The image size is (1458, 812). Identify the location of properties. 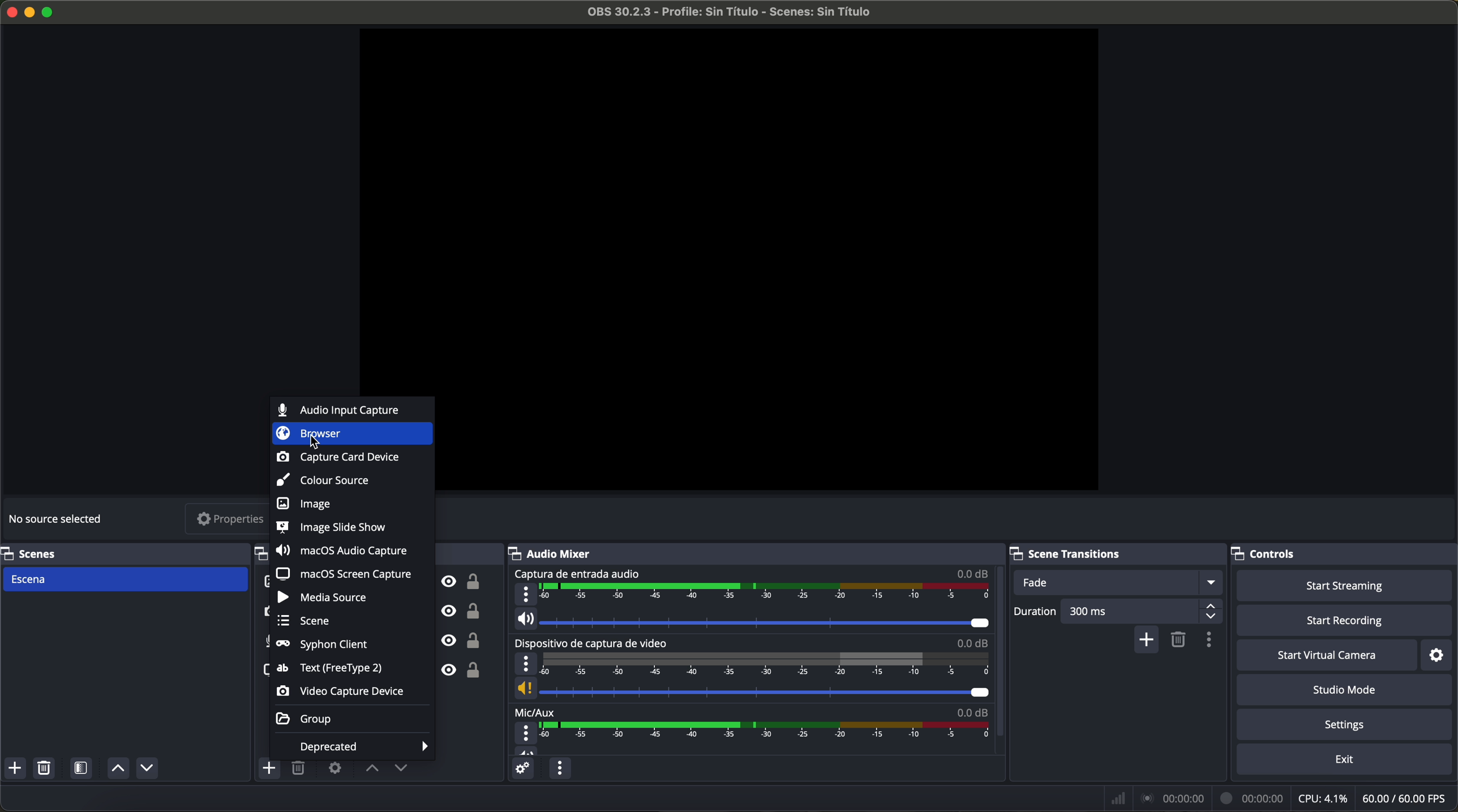
(232, 518).